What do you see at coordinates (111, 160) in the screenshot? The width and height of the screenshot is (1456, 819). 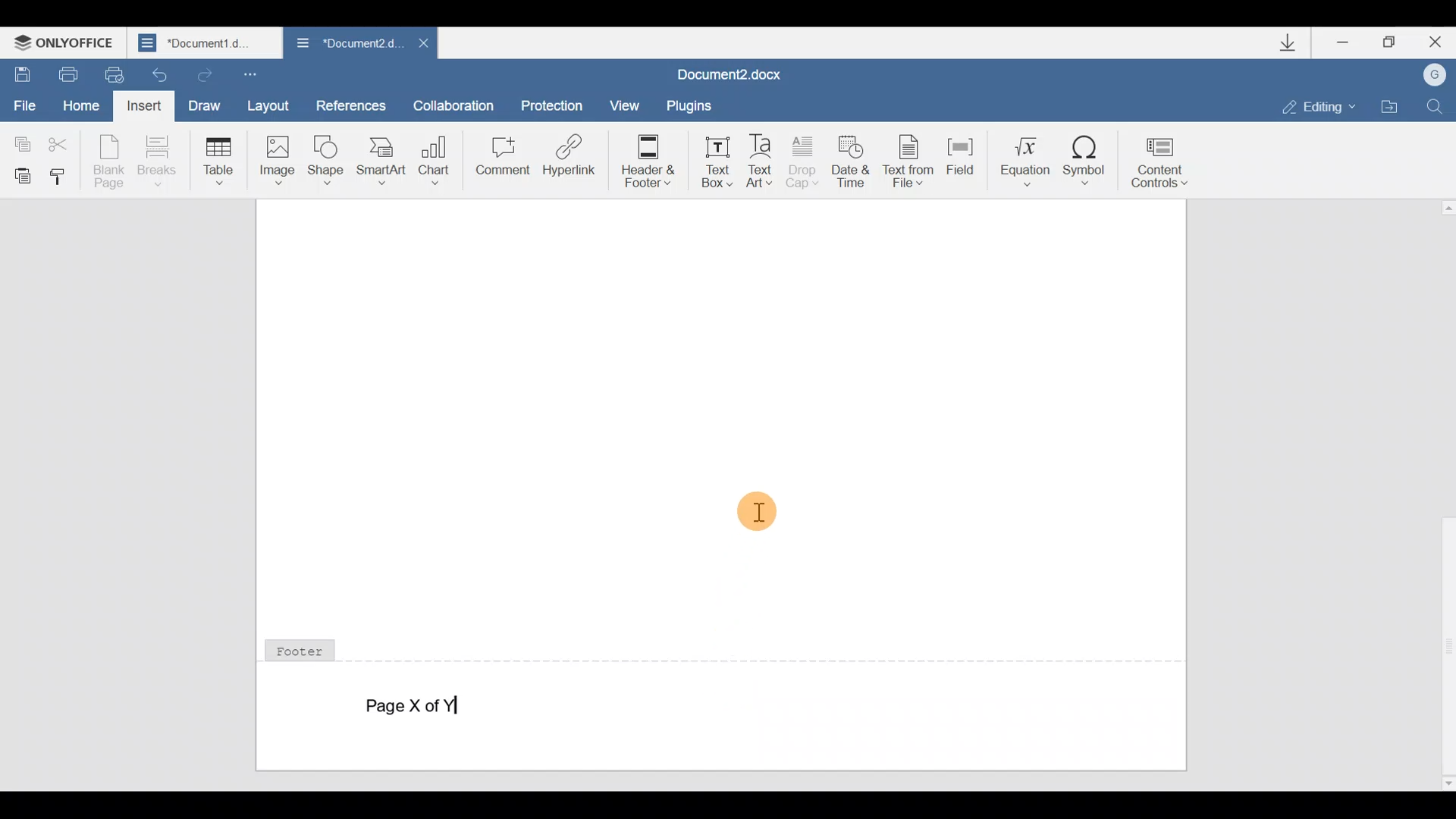 I see `Blank page` at bounding box center [111, 160].